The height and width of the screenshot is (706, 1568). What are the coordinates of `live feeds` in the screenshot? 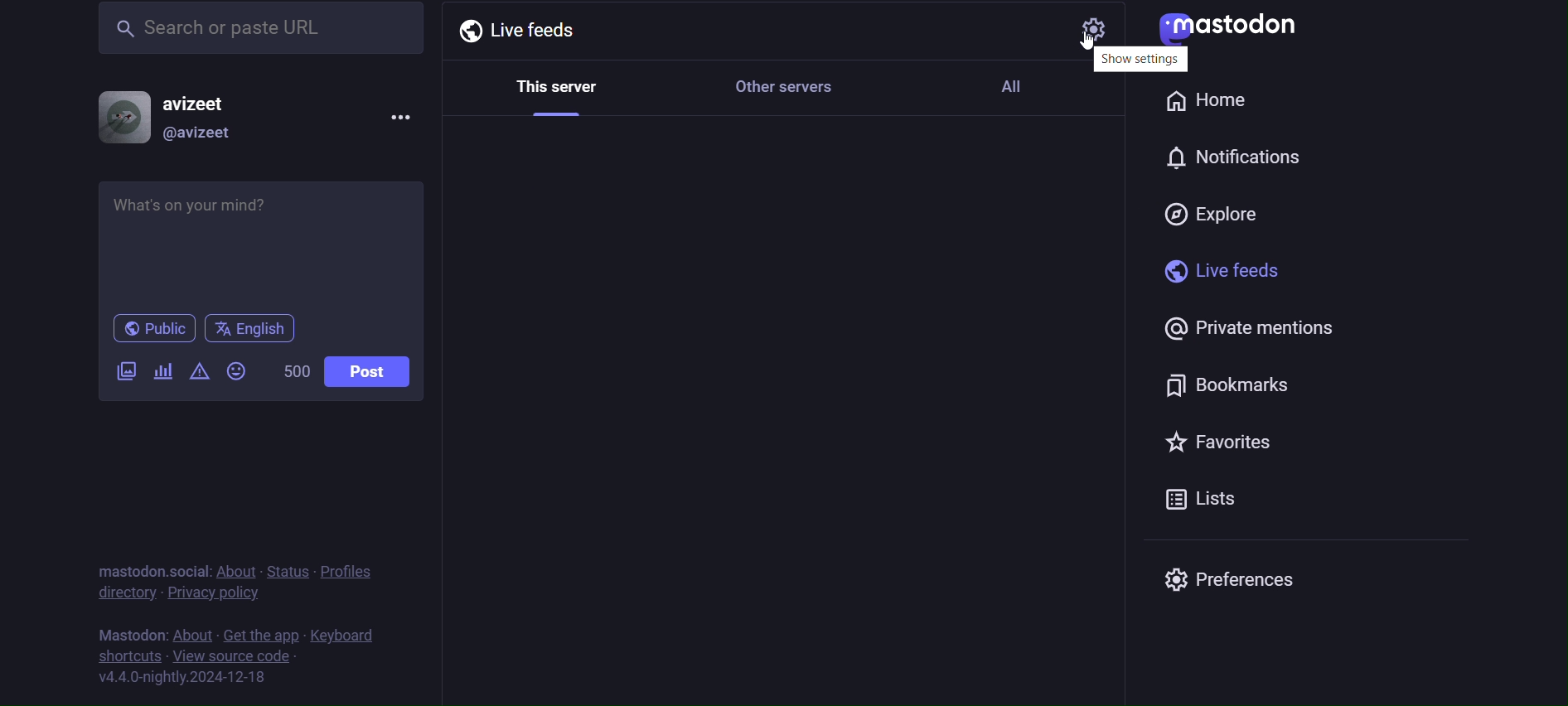 It's located at (1217, 277).